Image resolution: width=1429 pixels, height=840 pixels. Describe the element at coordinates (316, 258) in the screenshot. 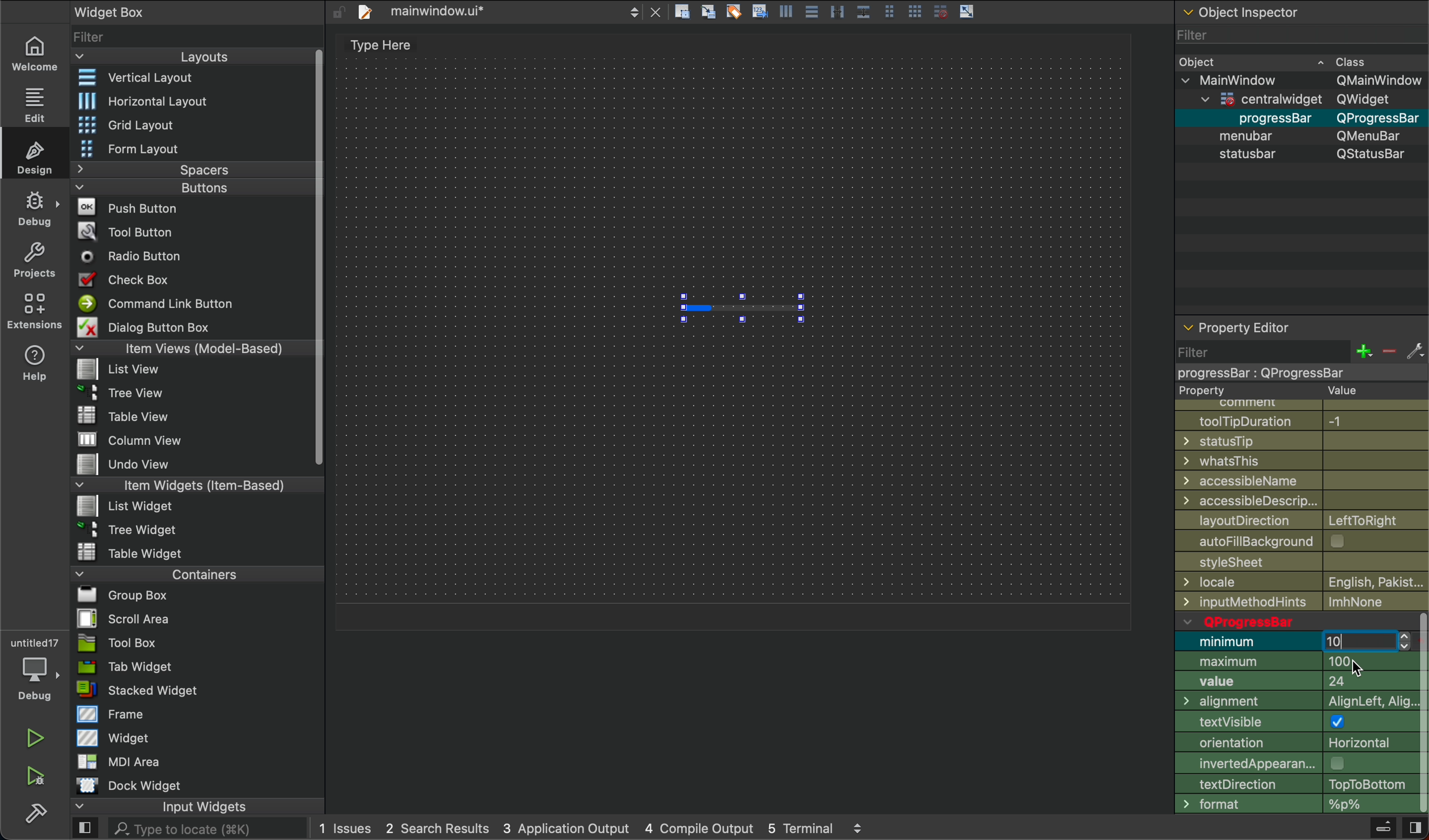

I see `Vertical Scroll` at that location.